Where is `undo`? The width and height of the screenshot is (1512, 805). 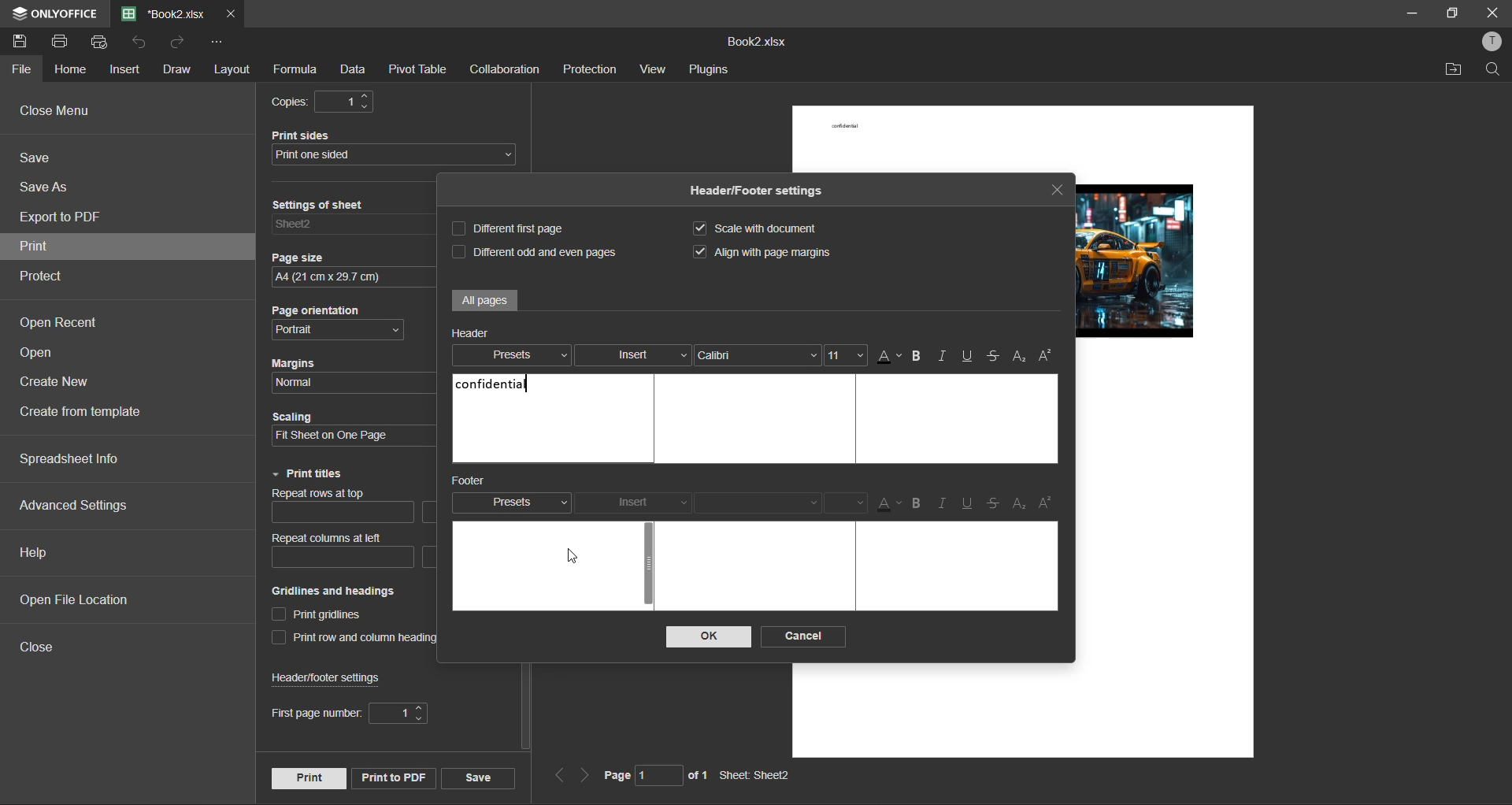
undo is located at coordinates (145, 45).